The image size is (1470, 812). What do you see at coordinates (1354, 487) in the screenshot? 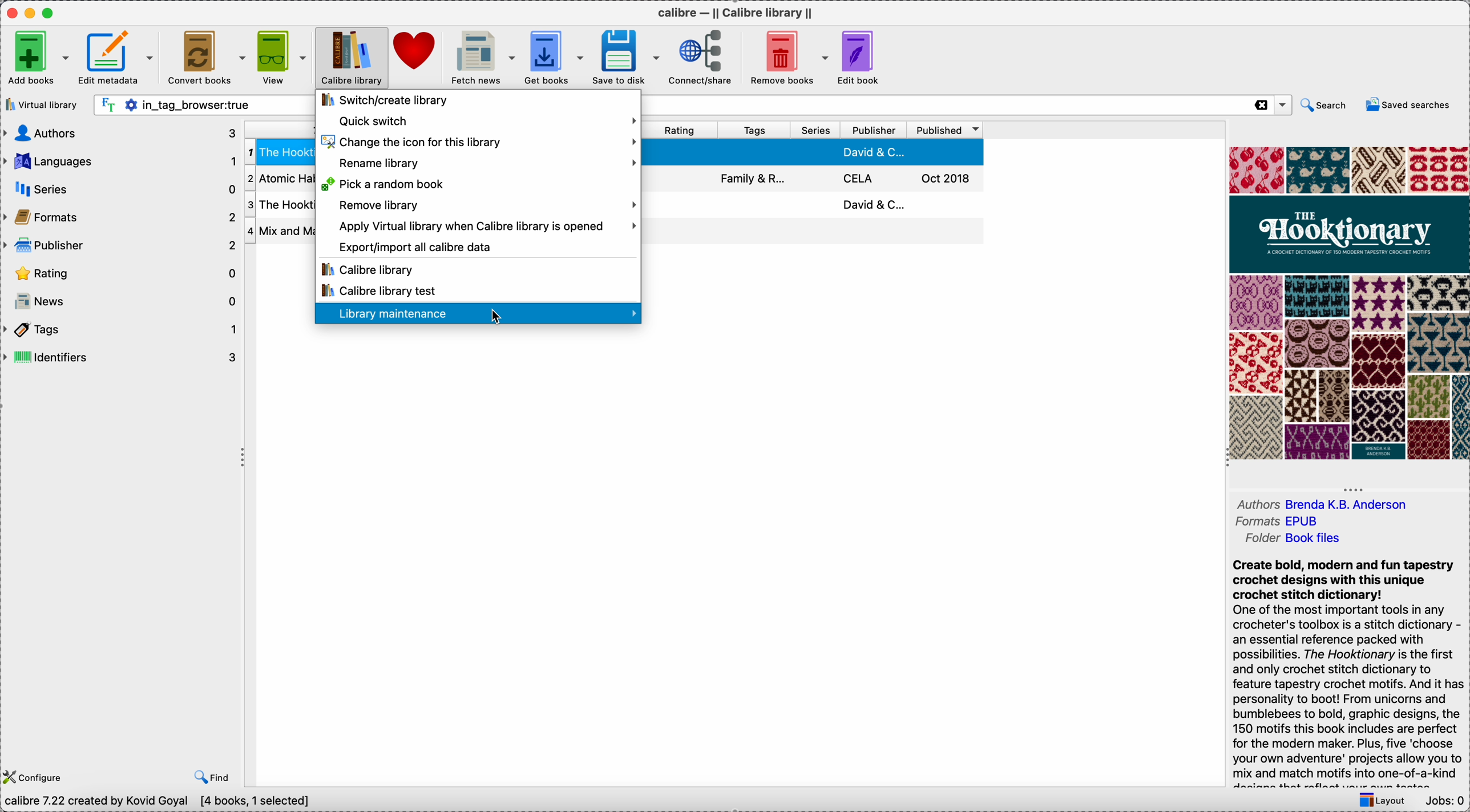
I see `hide` at bounding box center [1354, 487].